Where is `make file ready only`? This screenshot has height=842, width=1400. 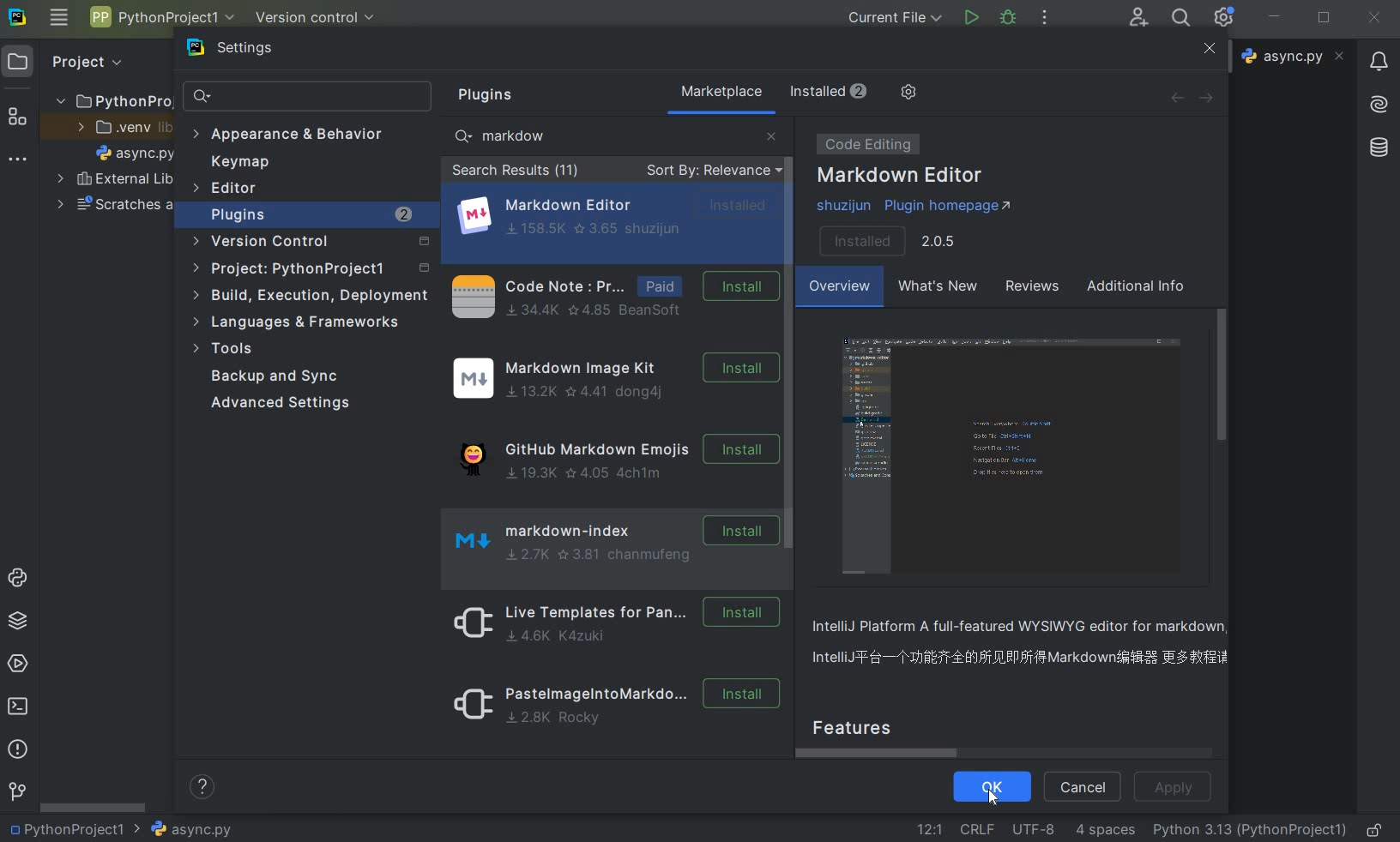 make file ready only is located at coordinates (1378, 830).